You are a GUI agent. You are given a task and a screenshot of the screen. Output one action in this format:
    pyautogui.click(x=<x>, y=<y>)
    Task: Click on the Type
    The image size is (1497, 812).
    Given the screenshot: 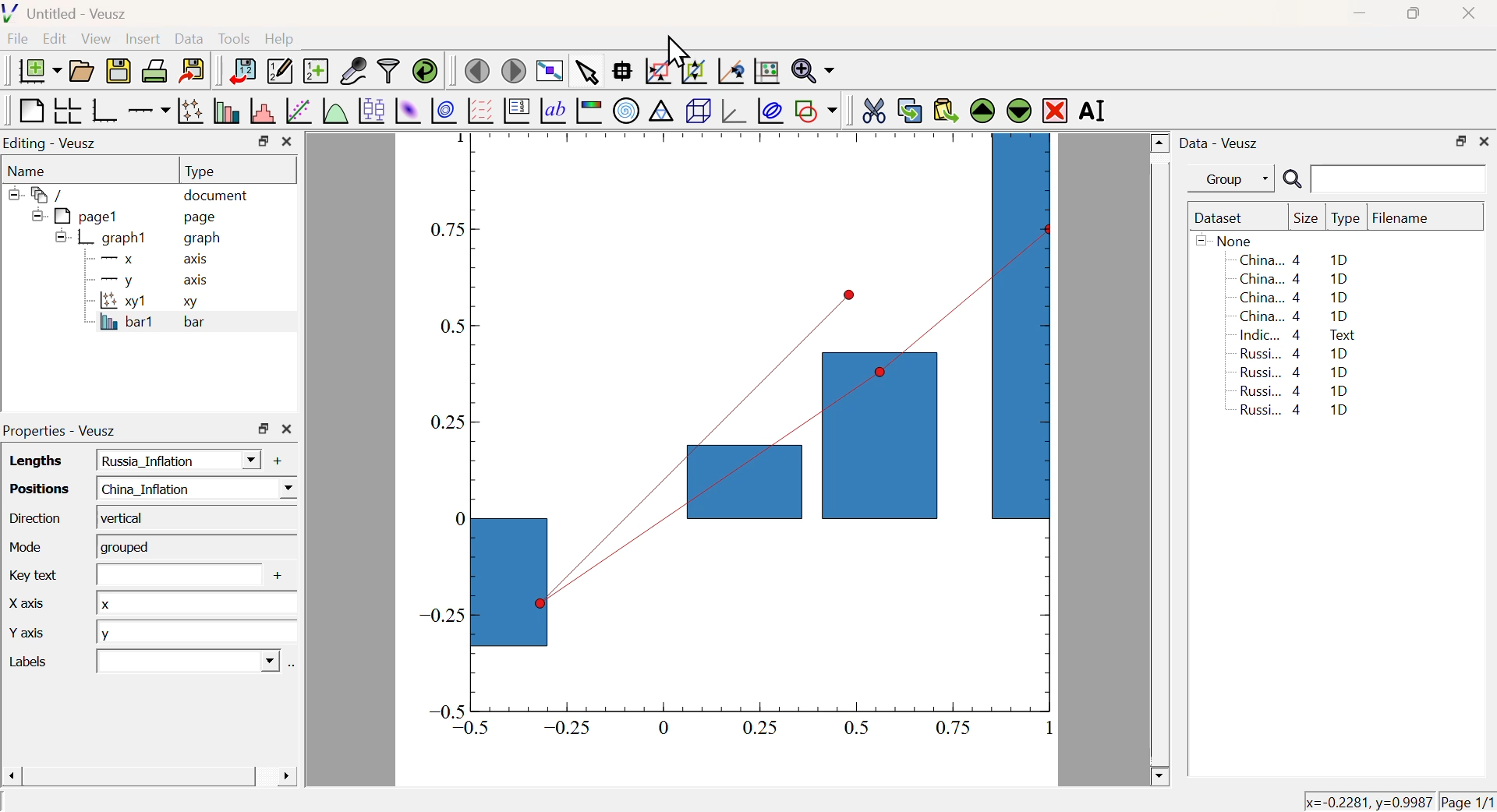 What is the action you would take?
    pyautogui.click(x=1346, y=219)
    